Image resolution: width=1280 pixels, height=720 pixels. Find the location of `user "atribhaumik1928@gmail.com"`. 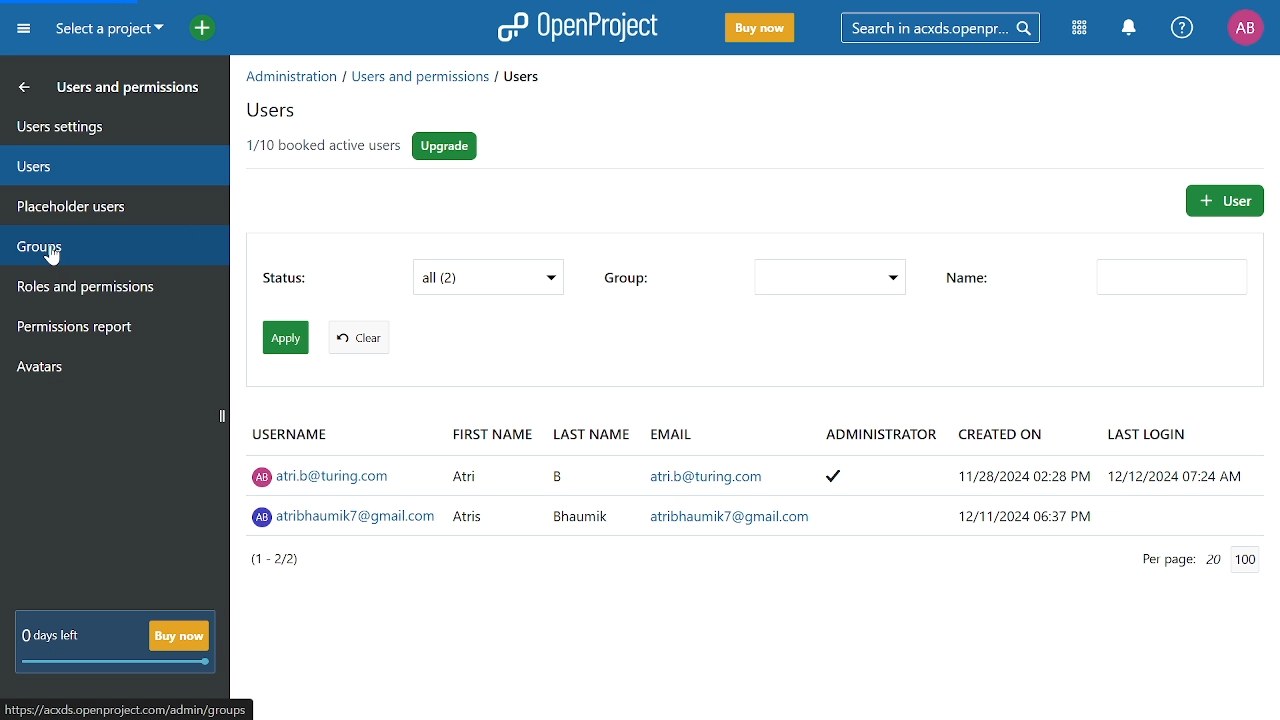

user "atribhaumik1928@gmail.com" is located at coordinates (762, 516).